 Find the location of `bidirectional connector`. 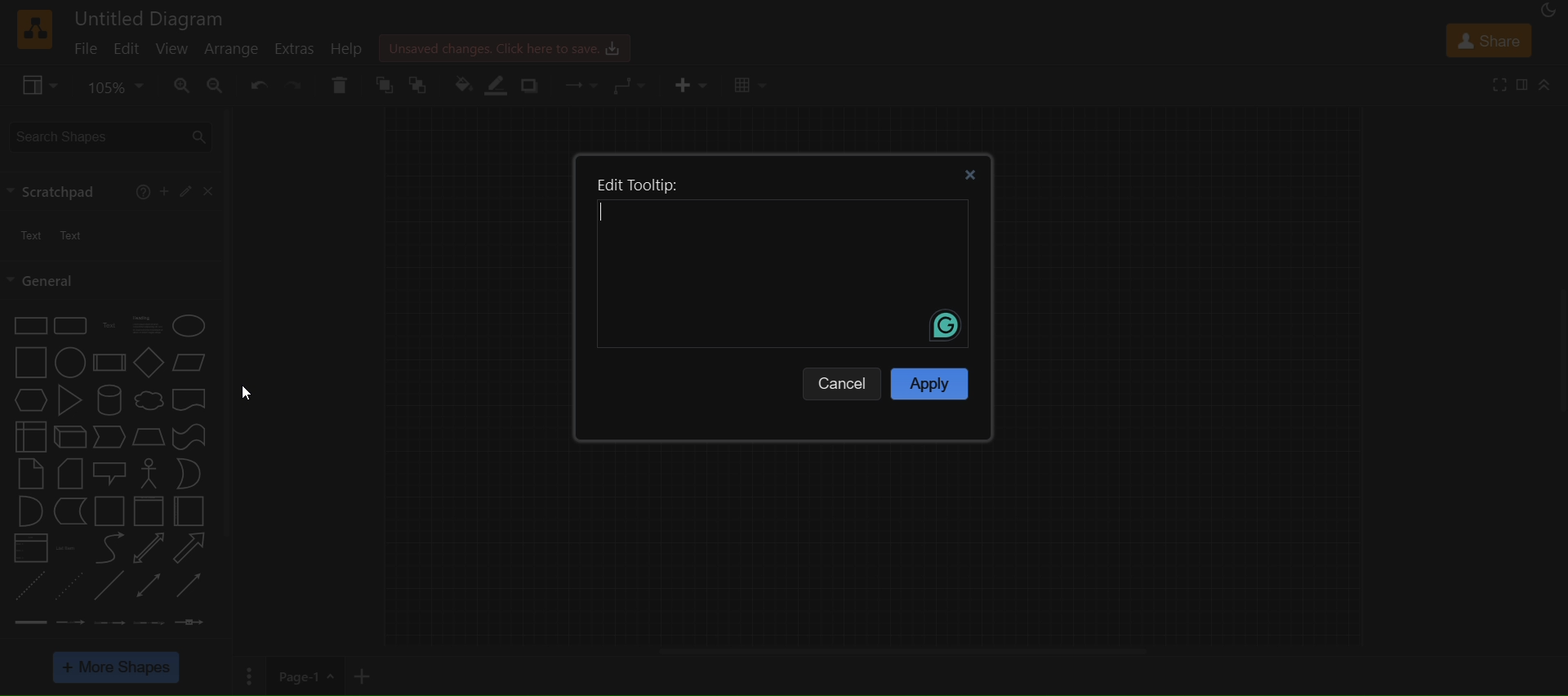

bidirectional connector is located at coordinates (149, 584).